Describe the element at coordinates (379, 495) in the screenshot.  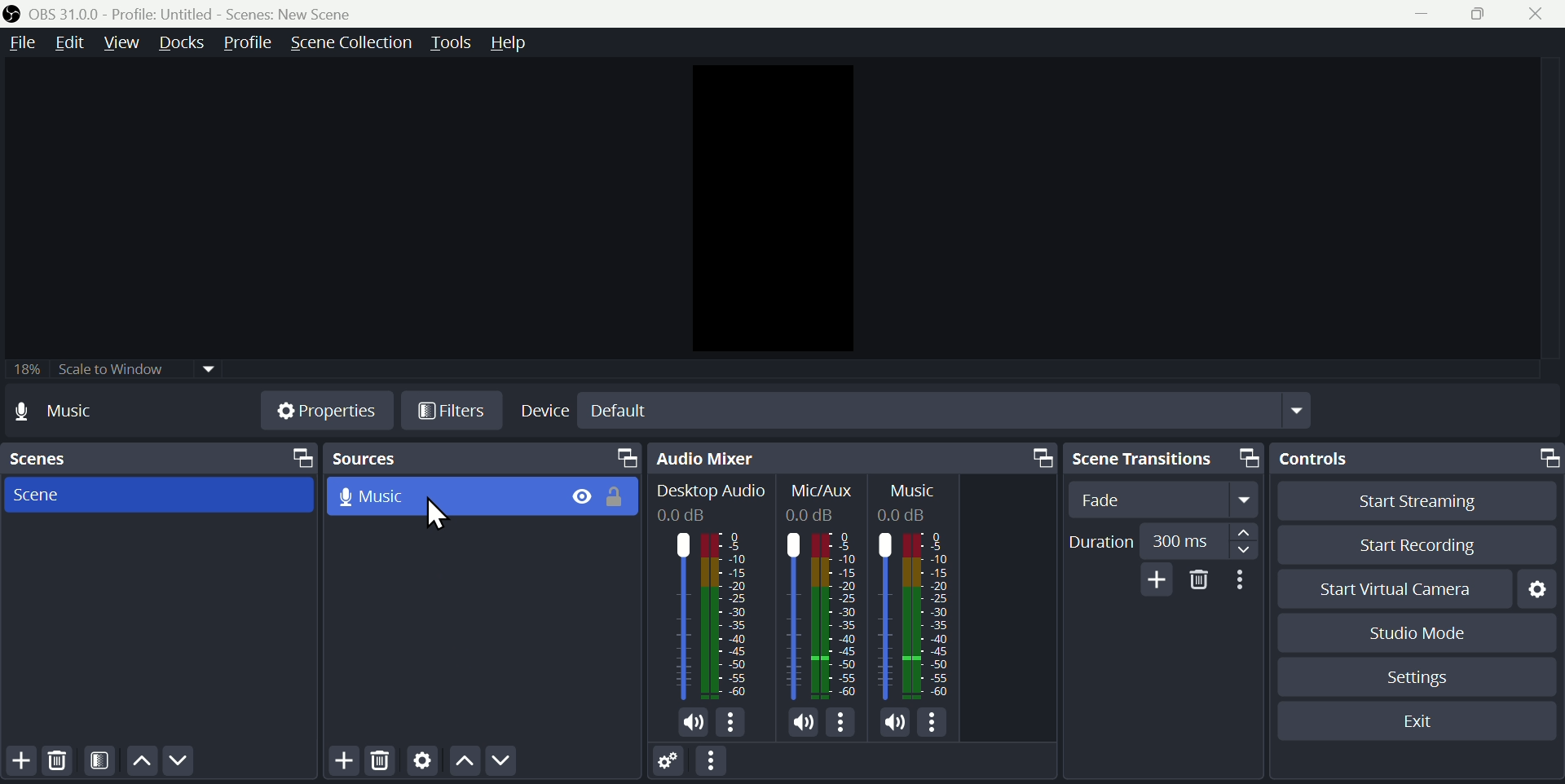
I see `Music` at that location.